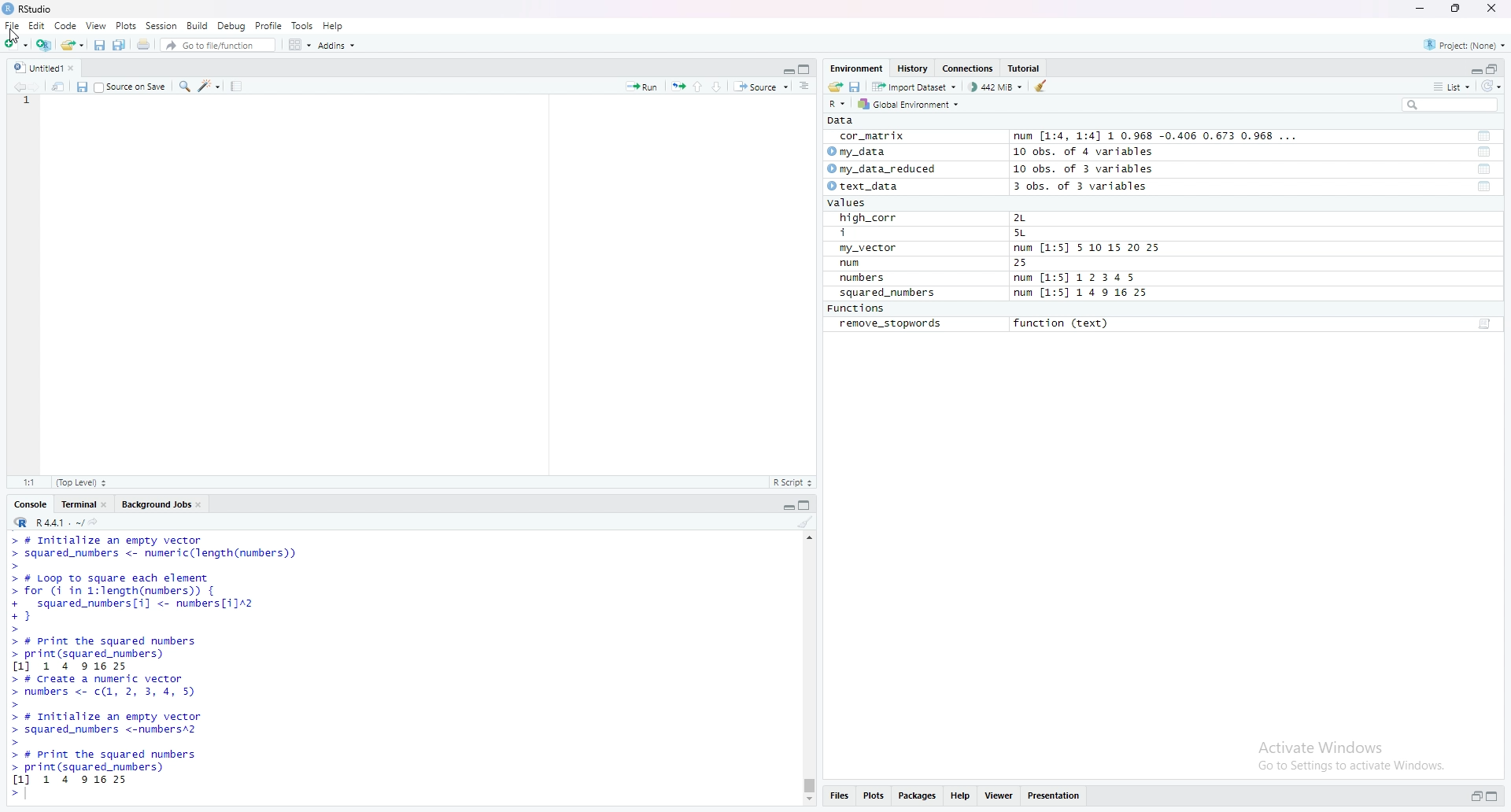 The image size is (1511, 812). Describe the element at coordinates (1026, 67) in the screenshot. I see `Tutorials` at that location.